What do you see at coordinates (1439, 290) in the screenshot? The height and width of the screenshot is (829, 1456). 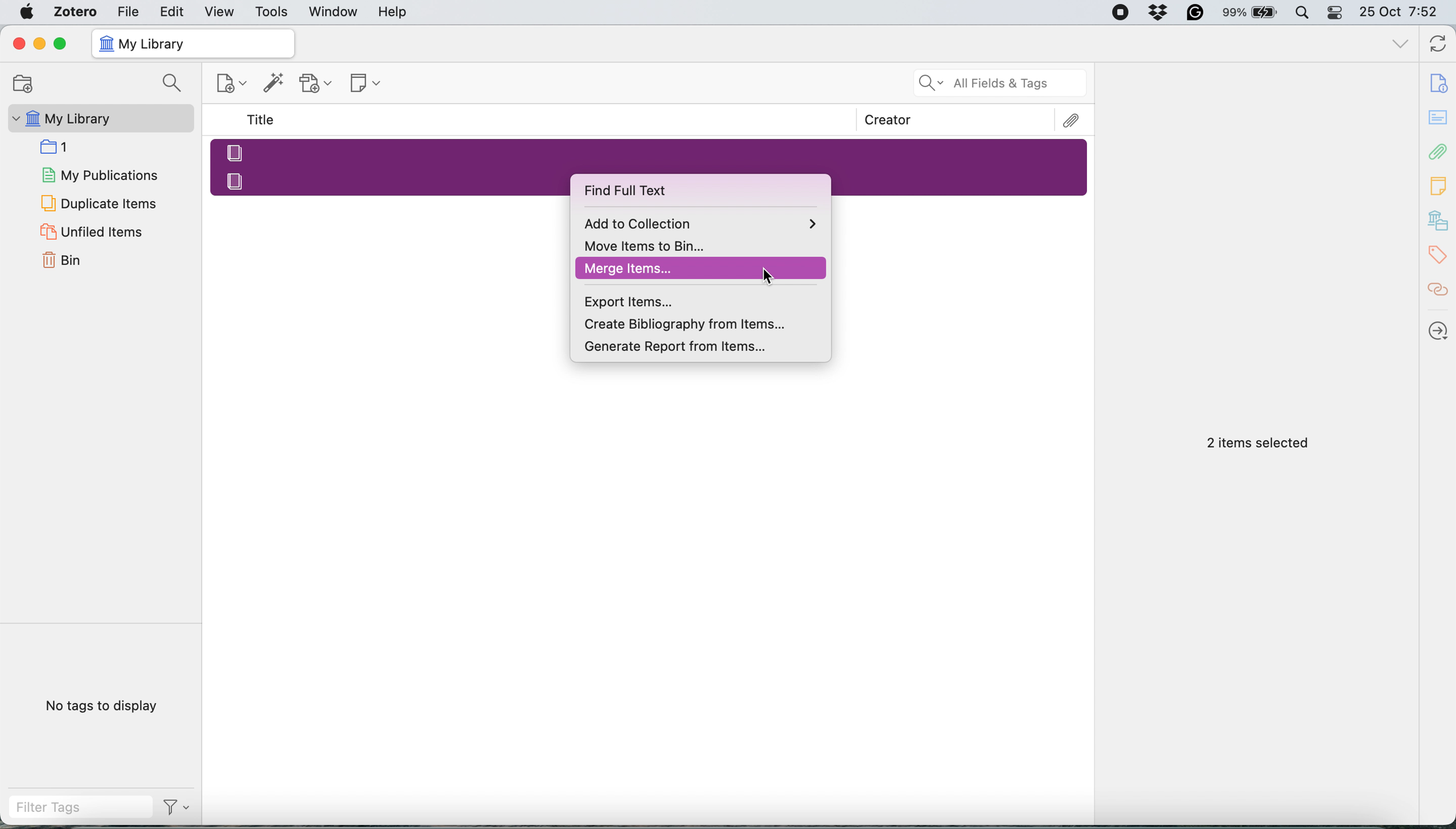 I see `Citations` at bounding box center [1439, 290].